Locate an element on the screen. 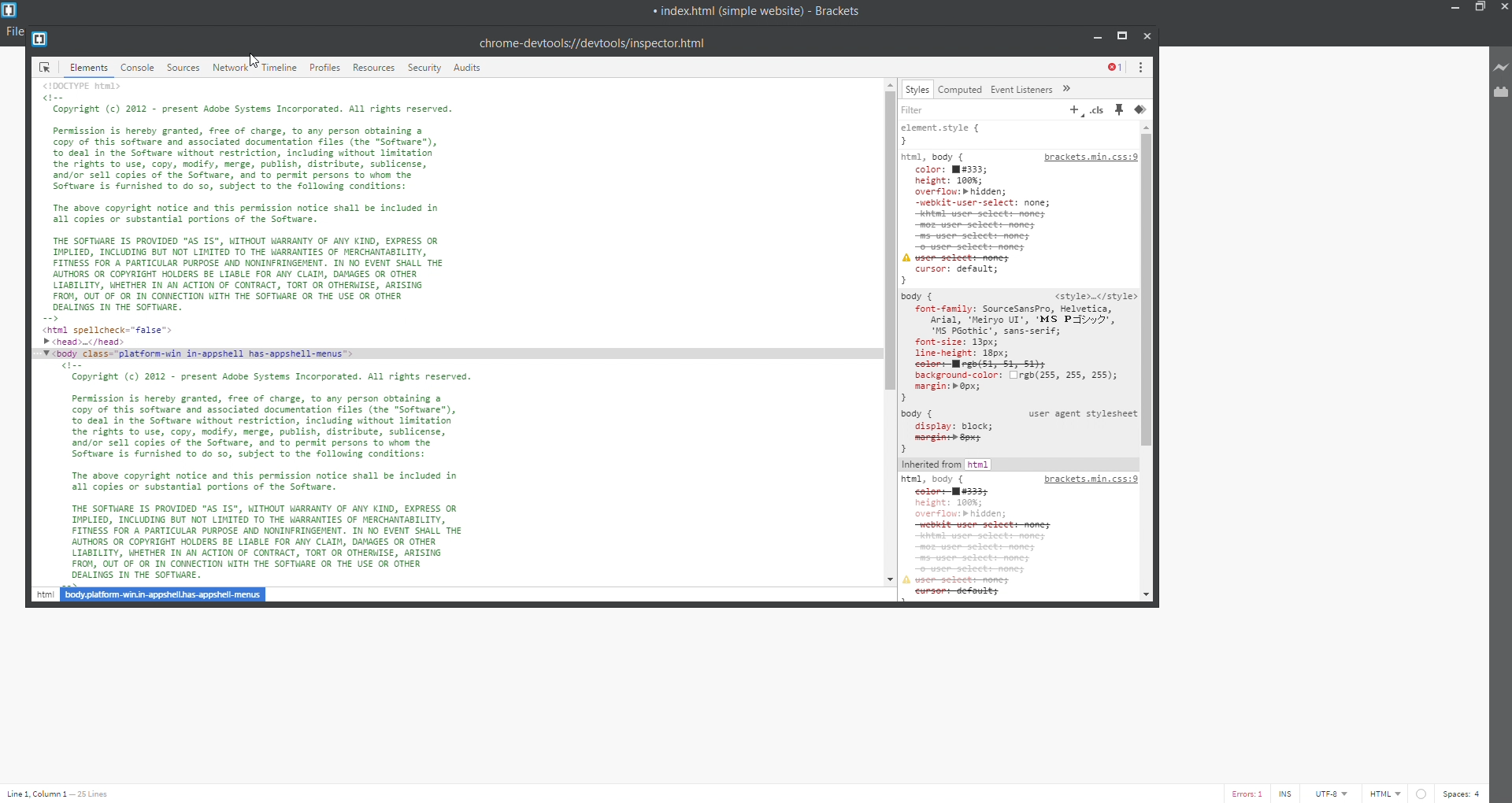  security is located at coordinates (424, 68).